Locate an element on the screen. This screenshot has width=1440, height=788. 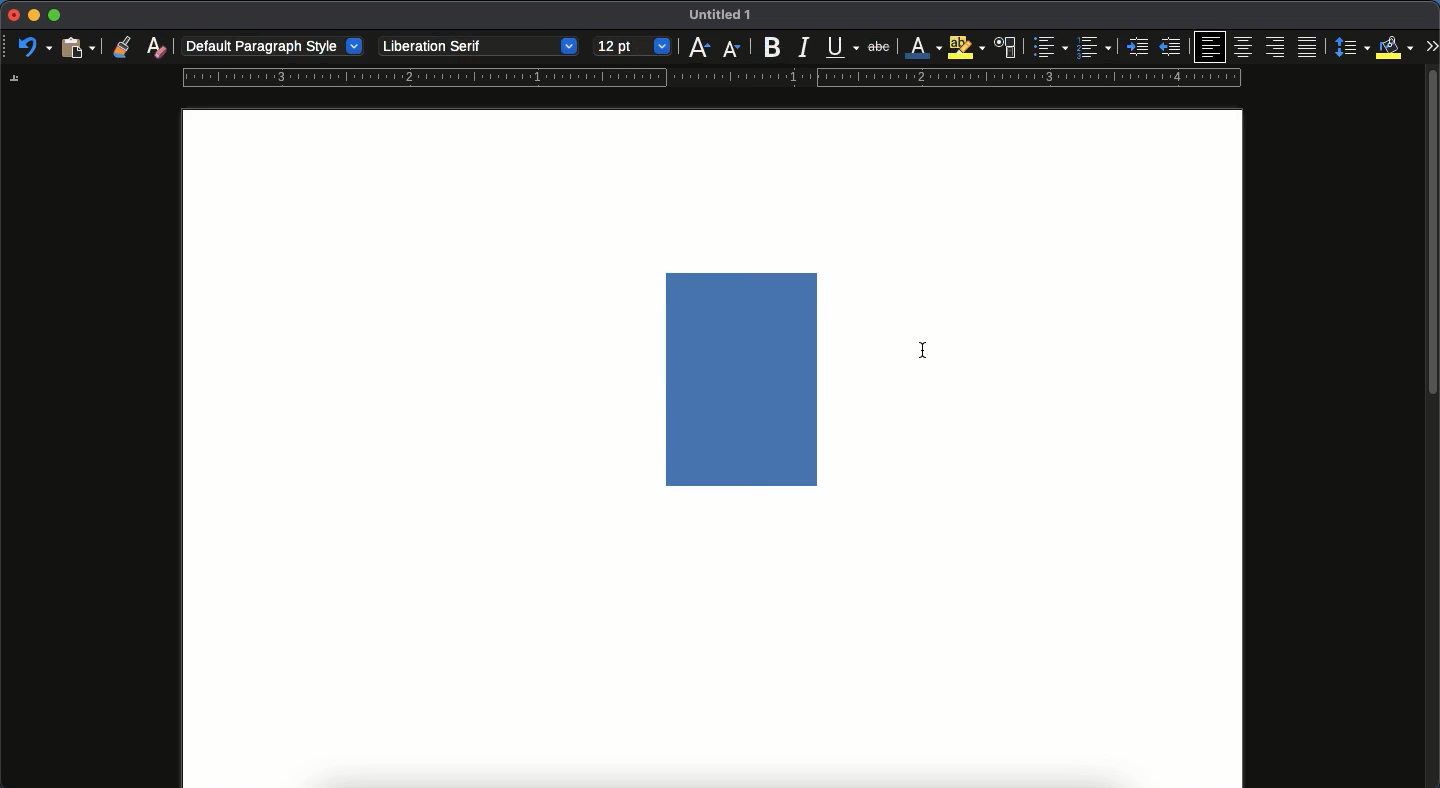
bullet is located at coordinates (1048, 47).